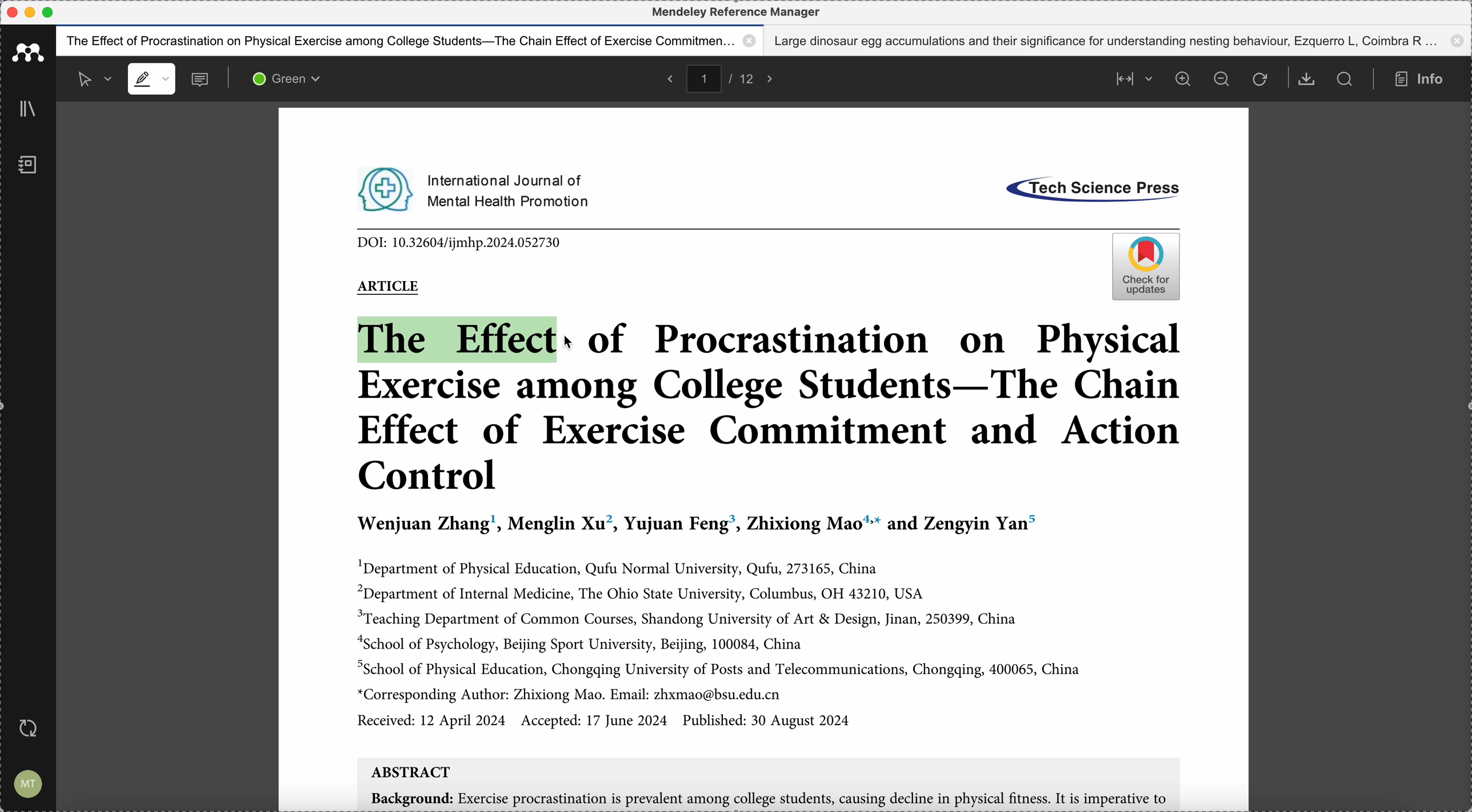 The width and height of the screenshot is (1472, 812). What do you see at coordinates (429, 589) in the screenshot?
I see `pdf opened` at bounding box center [429, 589].